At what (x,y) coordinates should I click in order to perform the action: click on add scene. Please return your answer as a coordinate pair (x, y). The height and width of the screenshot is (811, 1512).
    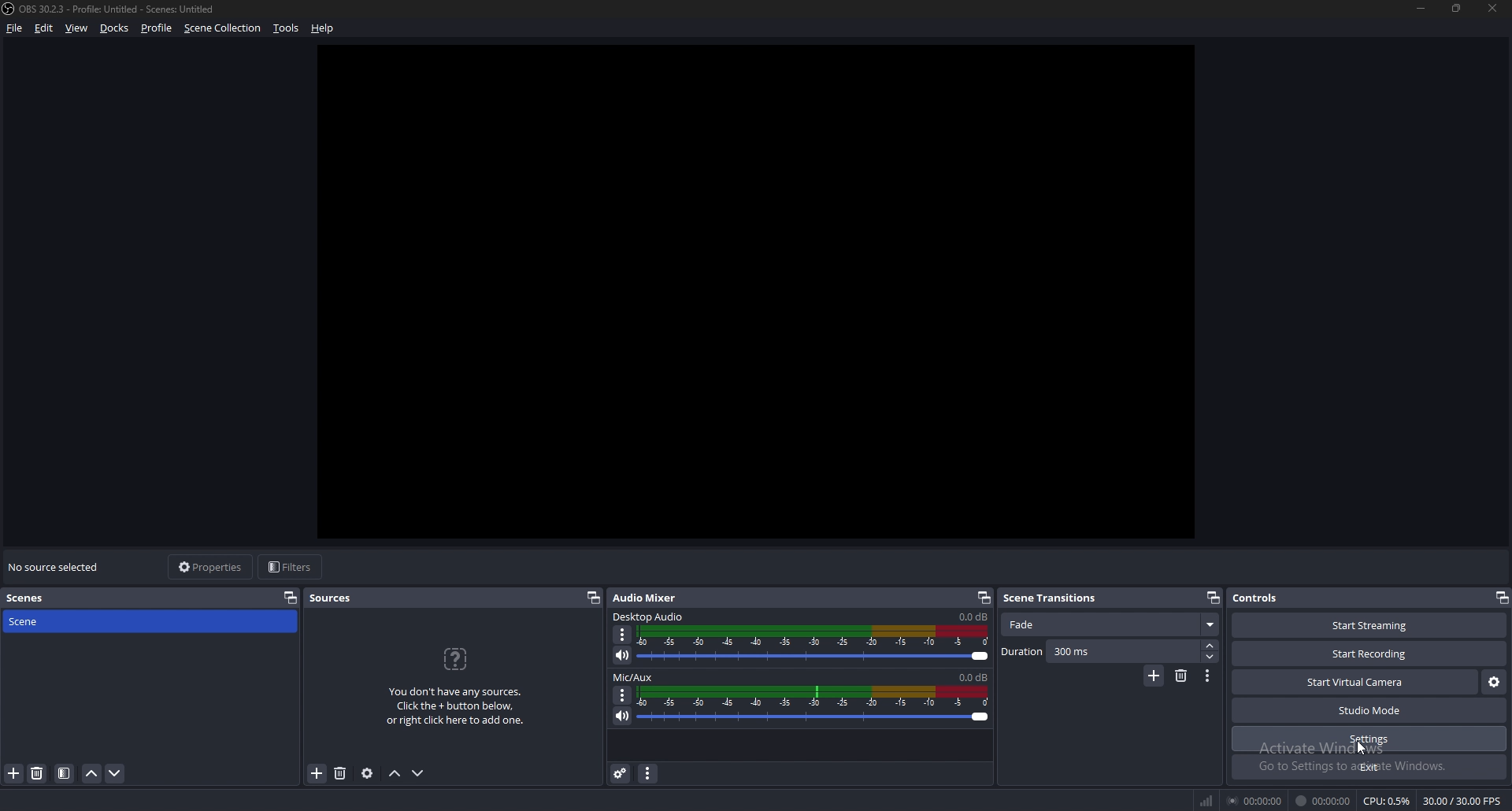
    Looking at the image, I should click on (1155, 675).